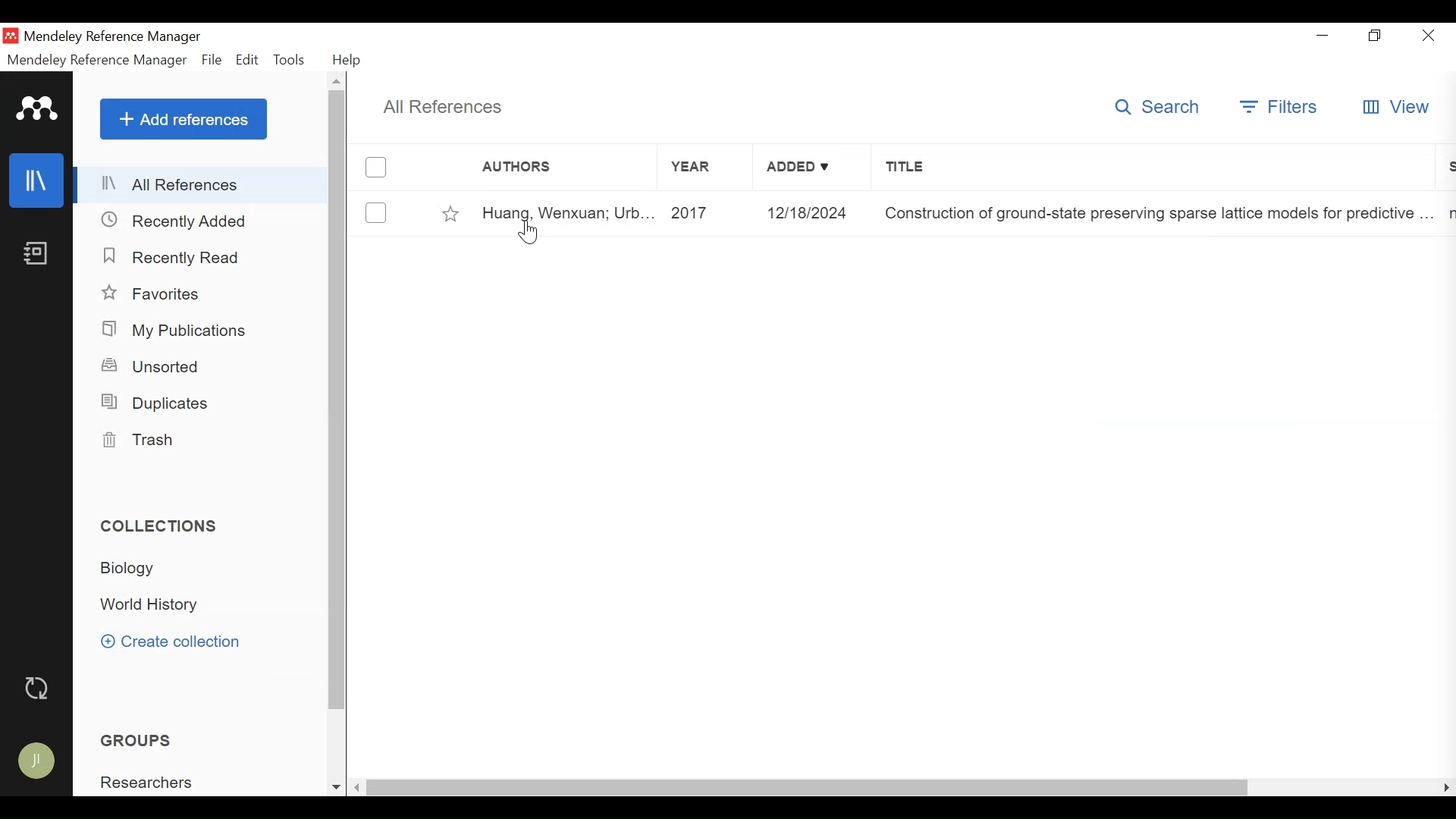 The width and height of the screenshot is (1456, 819). What do you see at coordinates (453, 215) in the screenshot?
I see `Toggle Favorites` at bounding box center [453, 215].